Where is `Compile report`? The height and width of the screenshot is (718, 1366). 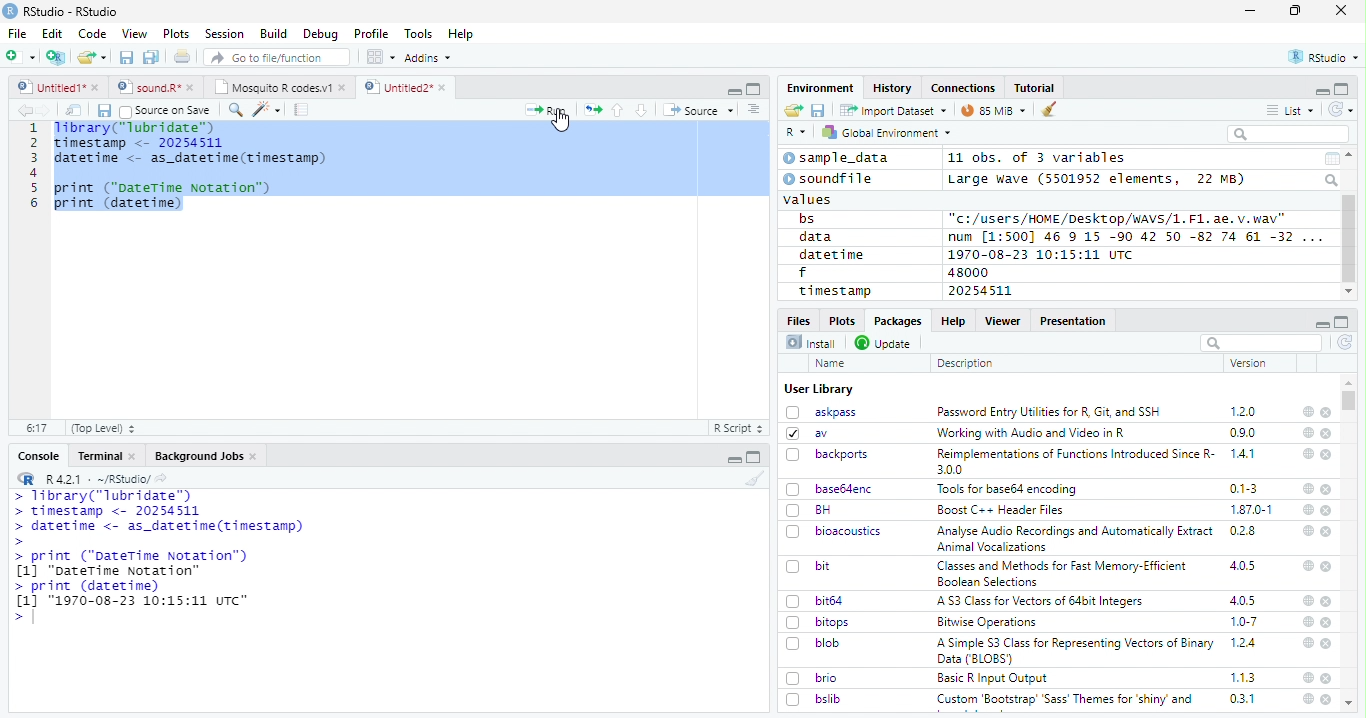
Compile report is located at coordinates (302, 110).